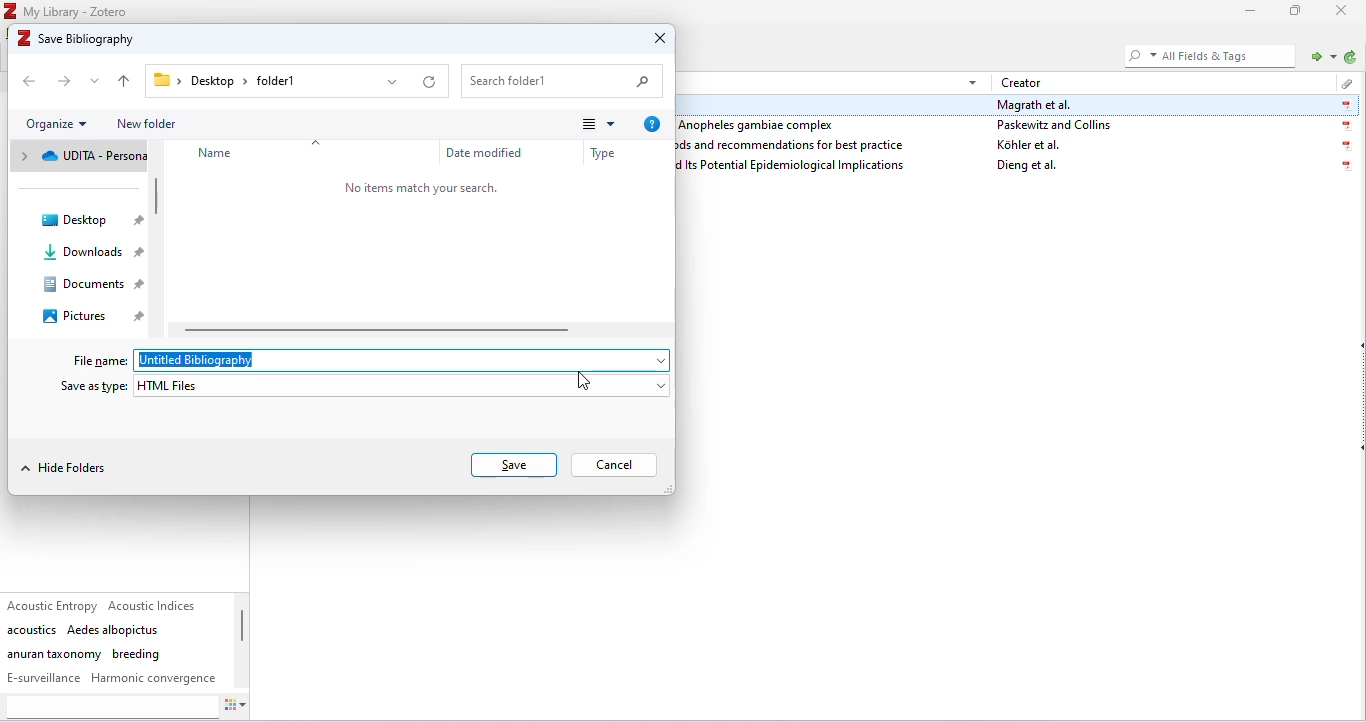 Image resolution: width=1366 pixels, height=722 pixels. Describe the element at coordinates (491, 154) in the screenshot. I see `date modified` at that location.